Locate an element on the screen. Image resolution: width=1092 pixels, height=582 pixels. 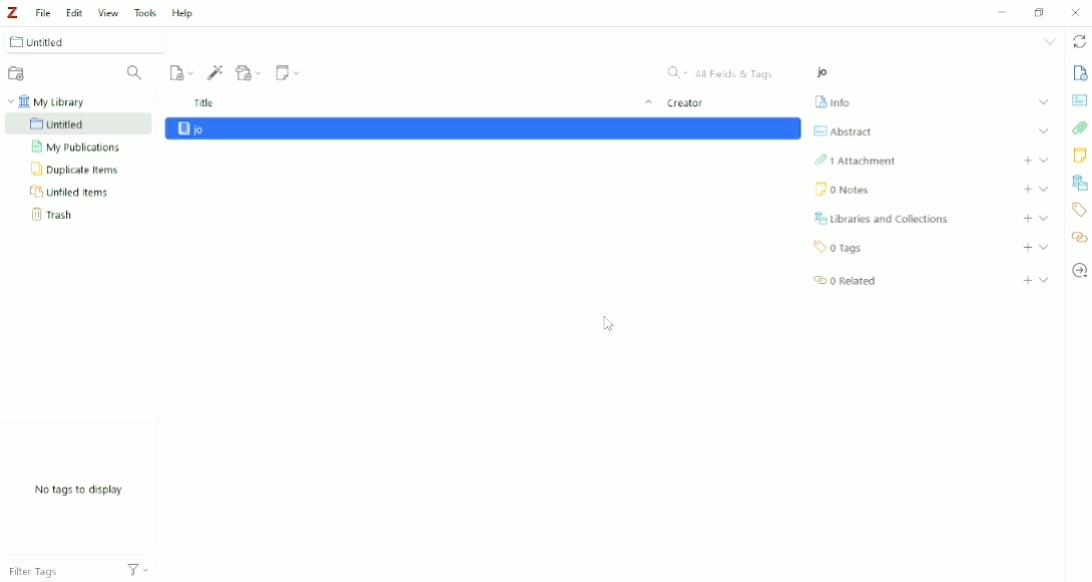
jo is located at coordinates (248, 42).